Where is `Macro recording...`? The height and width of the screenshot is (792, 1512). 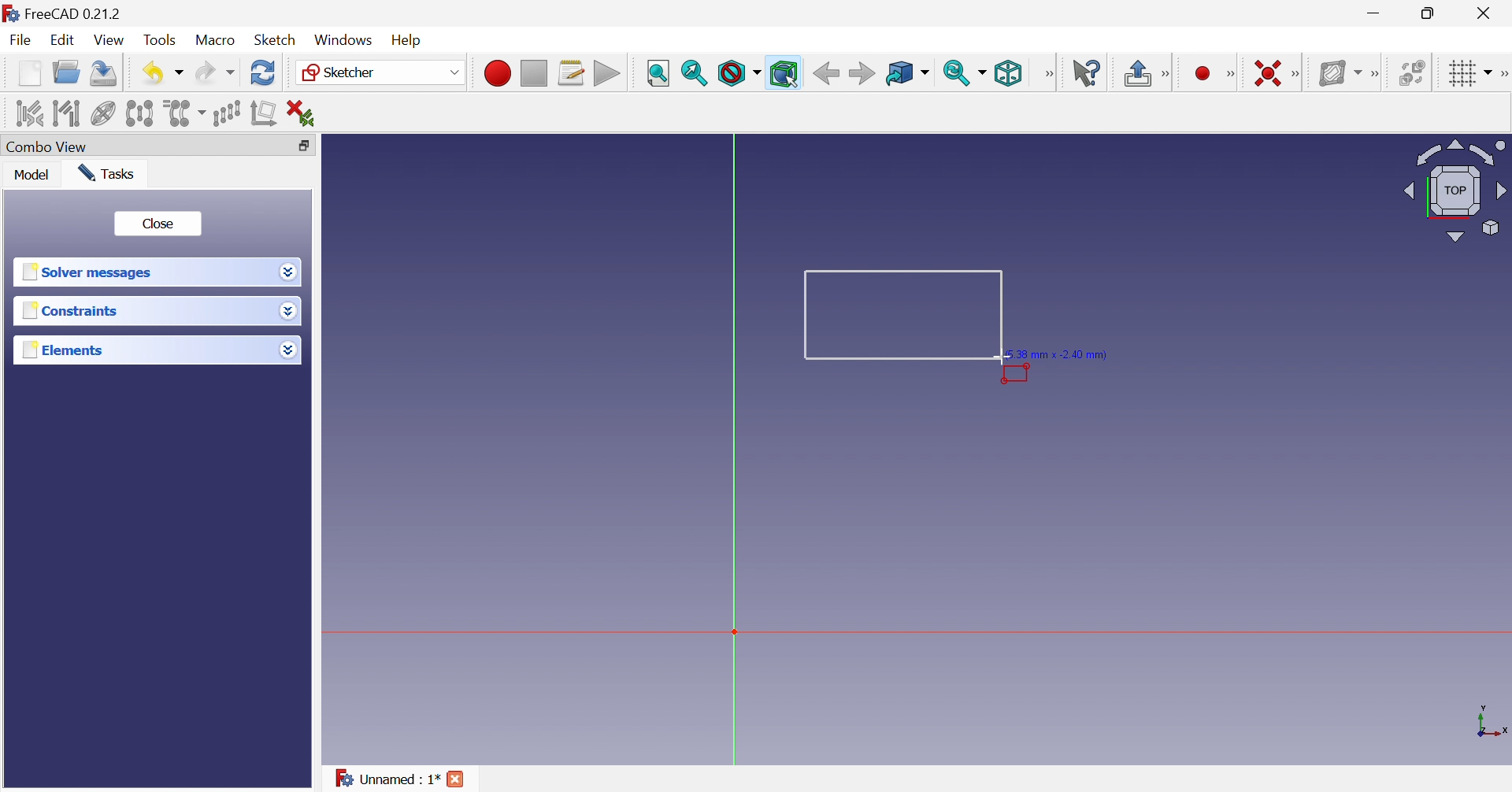 Macro recording... is located at coordinates (498, 74).